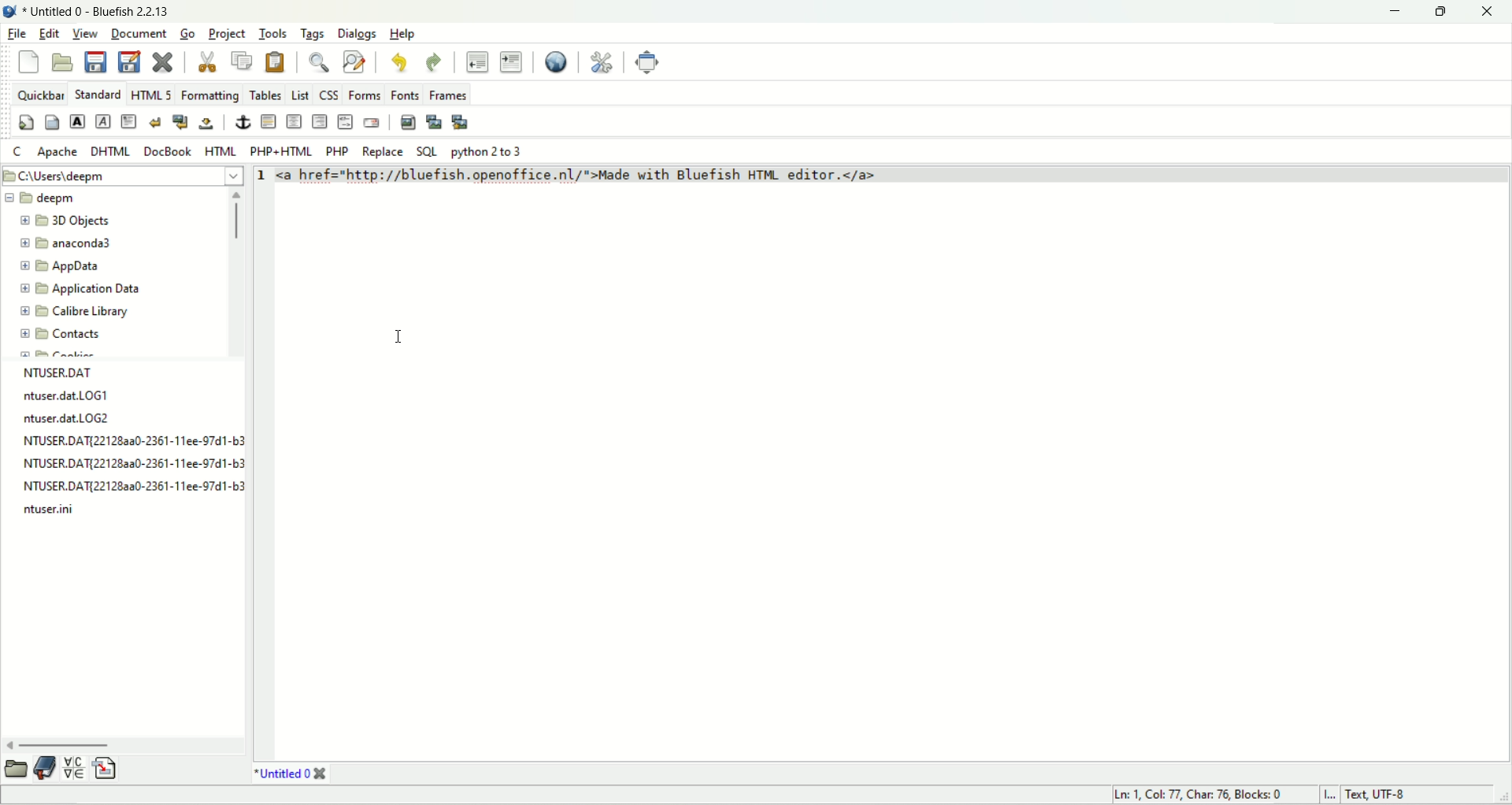 The height and width of the screenshot is (805, 1512). I want to click on application, so click(86, 287).